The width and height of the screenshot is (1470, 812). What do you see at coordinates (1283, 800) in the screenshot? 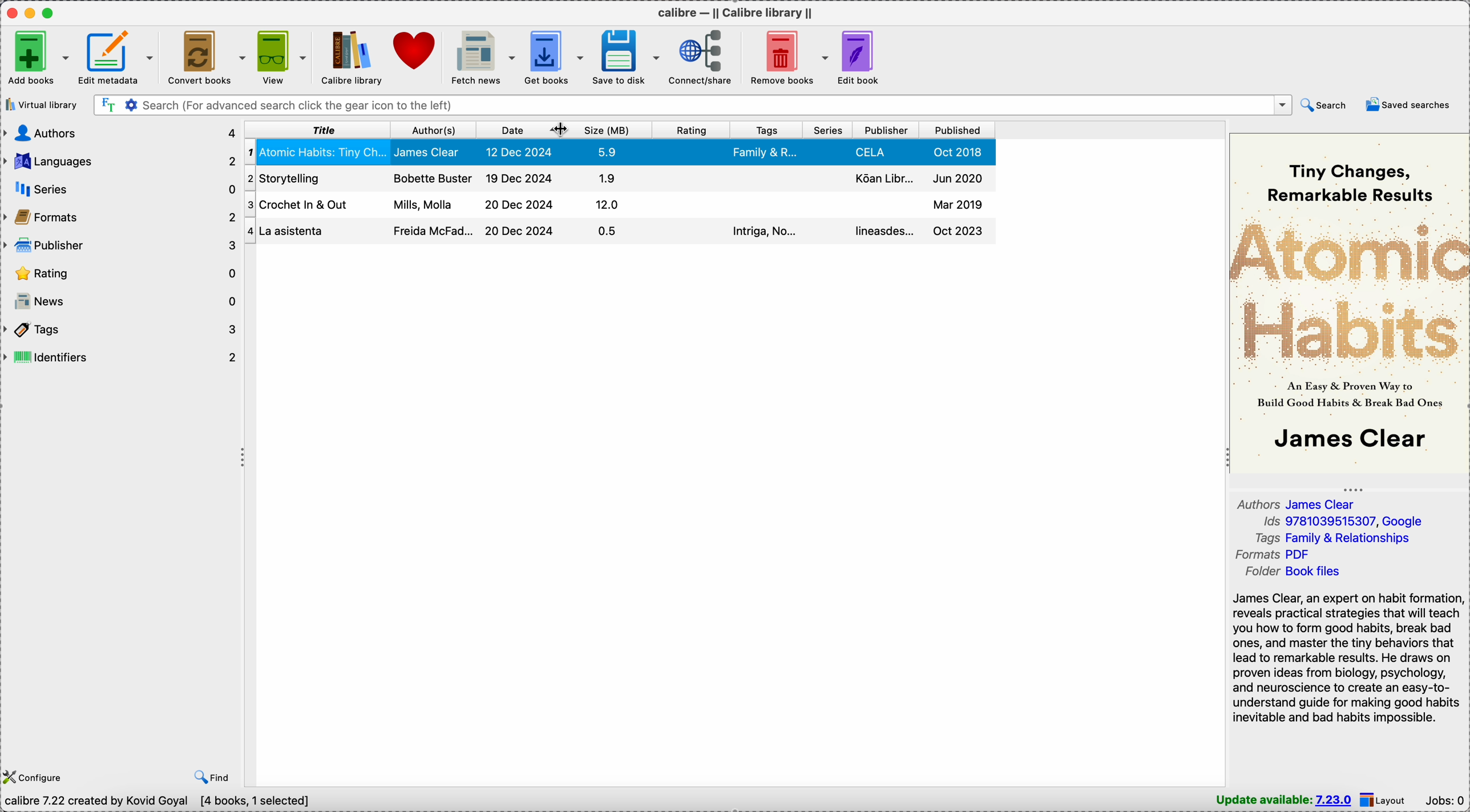
I see `update available: 7.23.0` at bounding box center [1283, 800].